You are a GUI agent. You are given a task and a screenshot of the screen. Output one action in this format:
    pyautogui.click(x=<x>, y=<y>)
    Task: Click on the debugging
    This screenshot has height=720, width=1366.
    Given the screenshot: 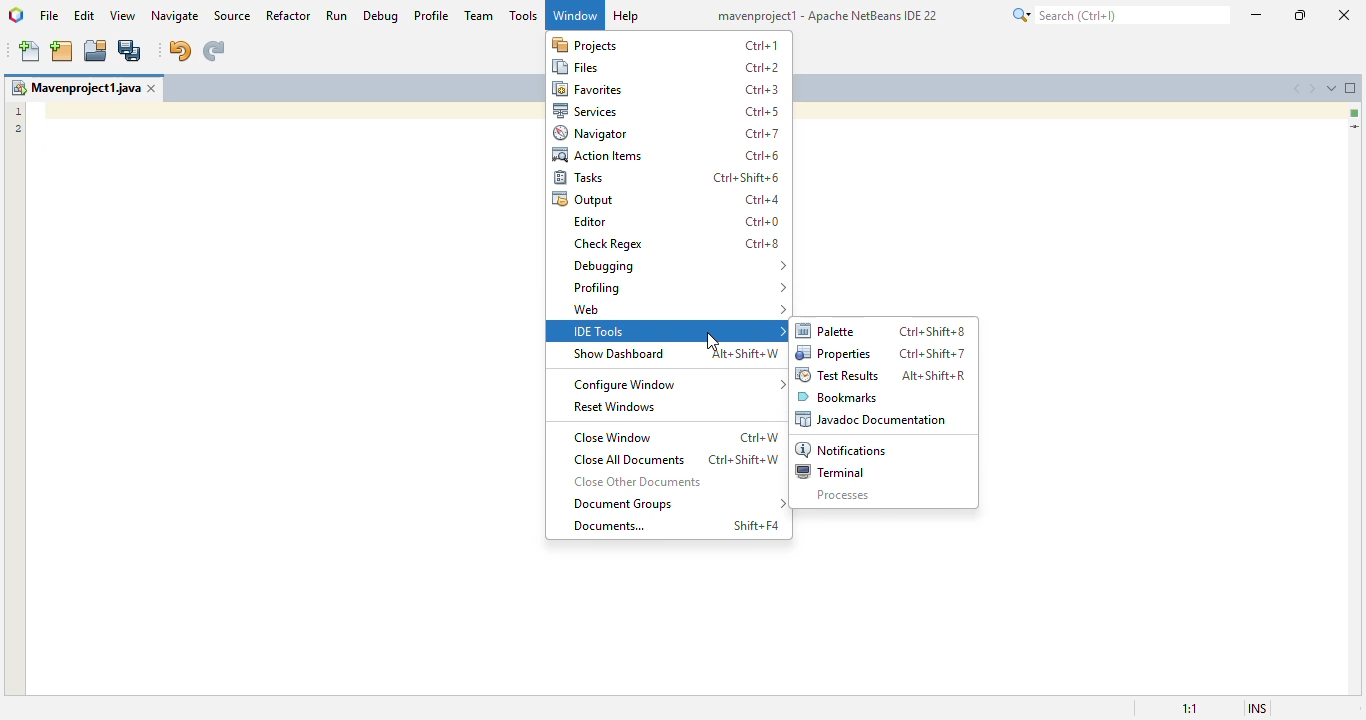 What is the action you would take?
    pyautogui.click(x=679, y=266)
    